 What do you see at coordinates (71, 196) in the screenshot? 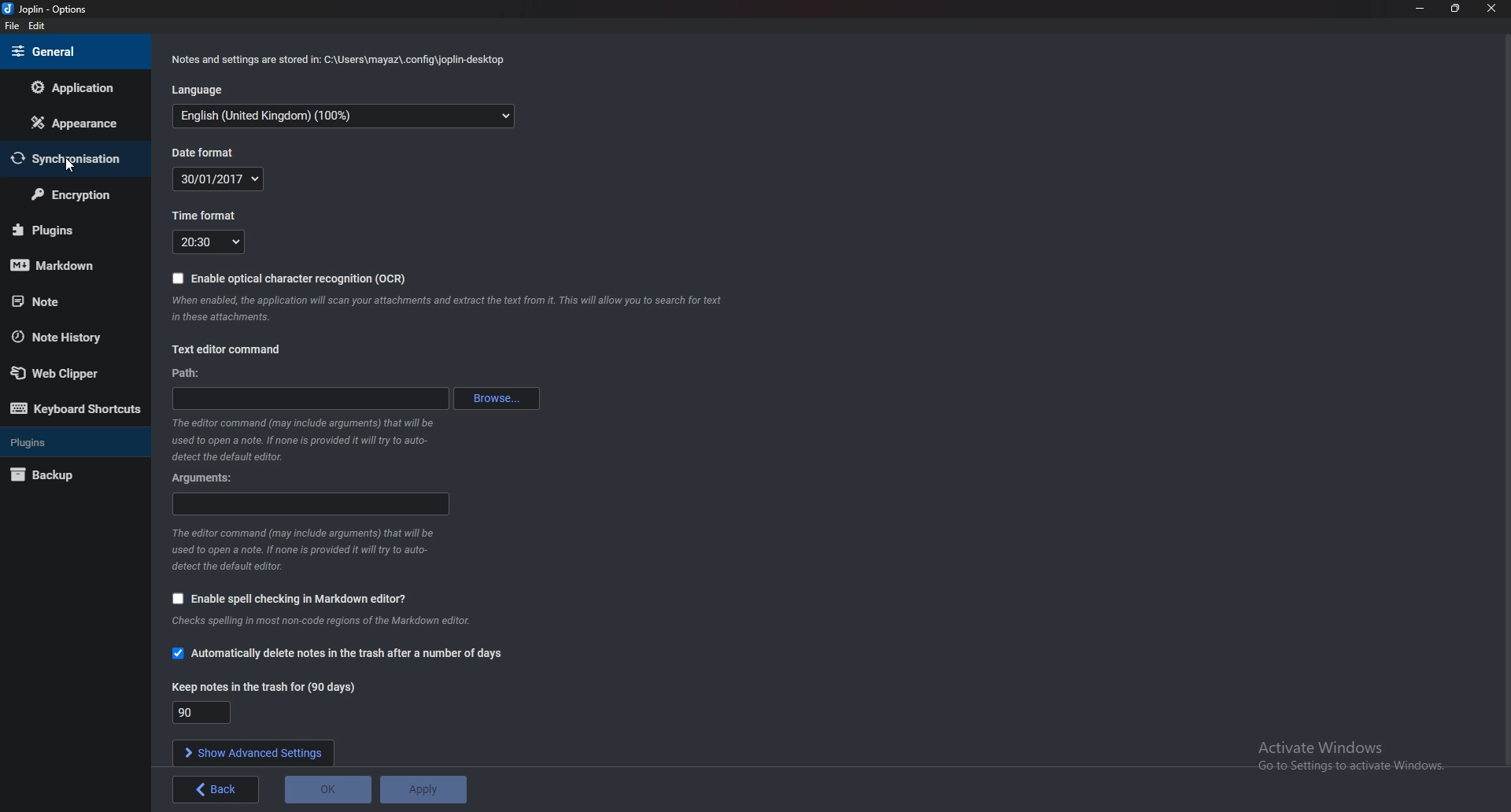
I see `Encryption` at bounding box center [71, 196].